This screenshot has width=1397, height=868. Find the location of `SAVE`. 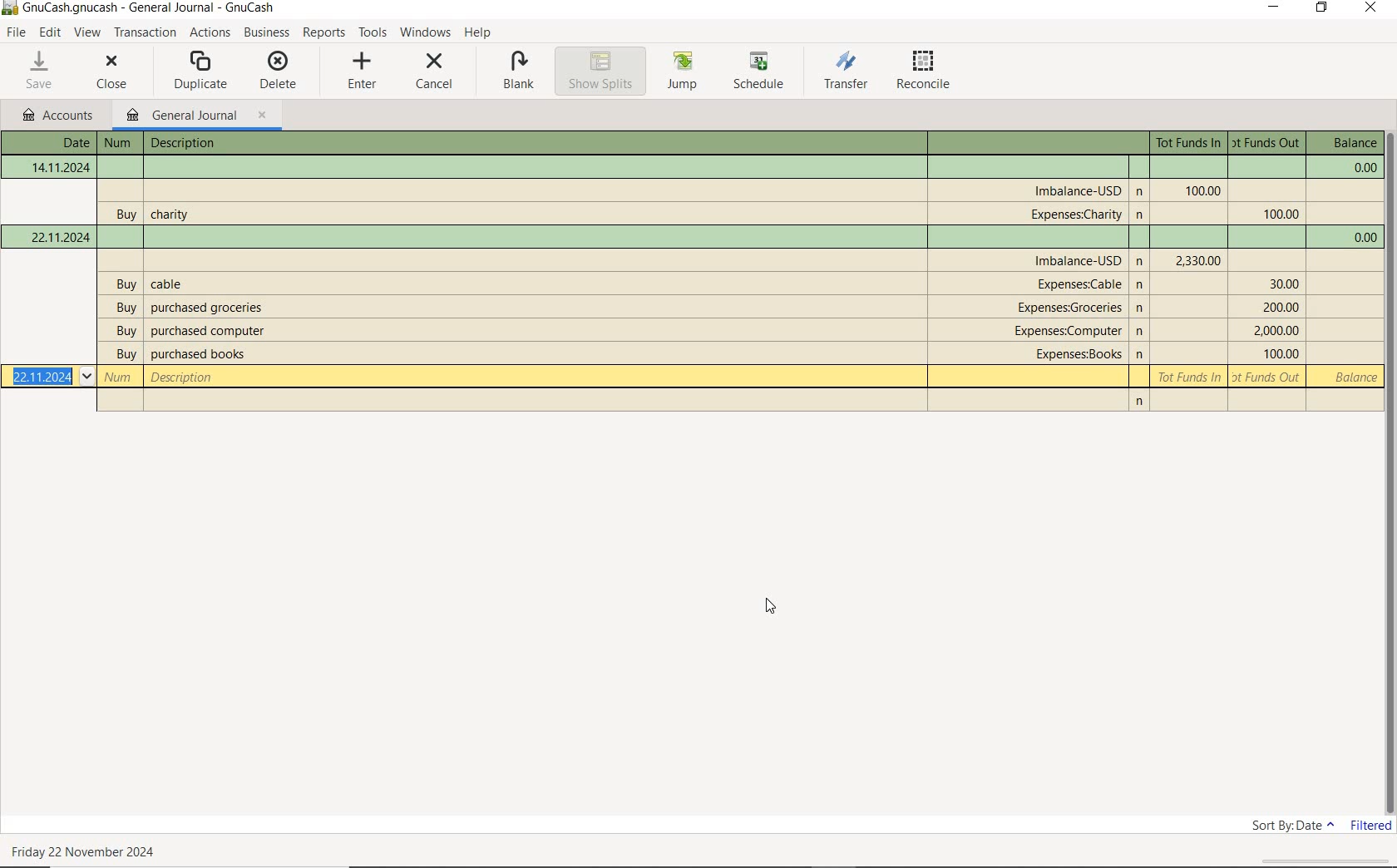

SAVE is located at coordinates (41, 71).